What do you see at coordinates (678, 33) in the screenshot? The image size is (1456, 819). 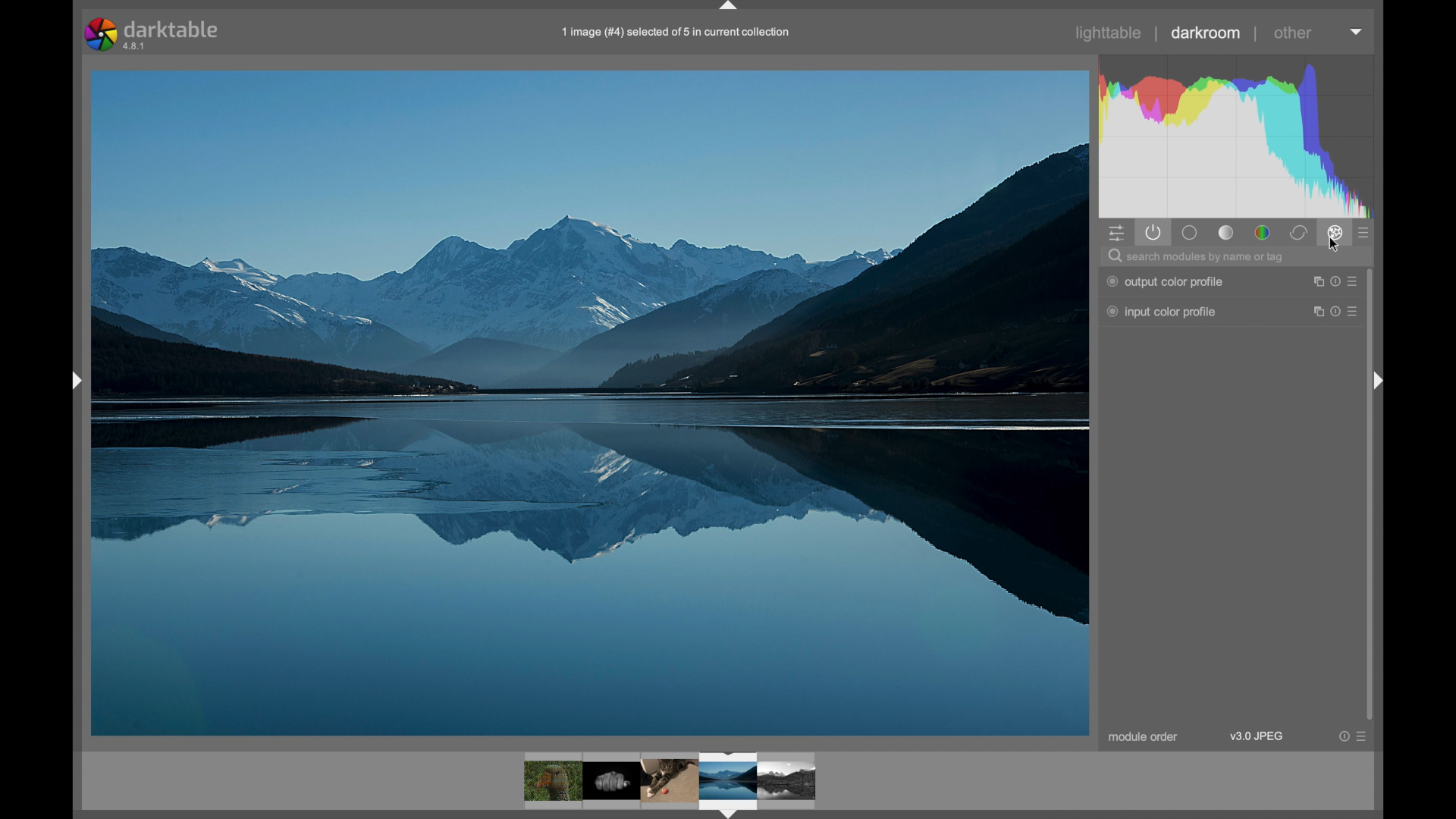 I see `info` at bounding box center [678, 33].